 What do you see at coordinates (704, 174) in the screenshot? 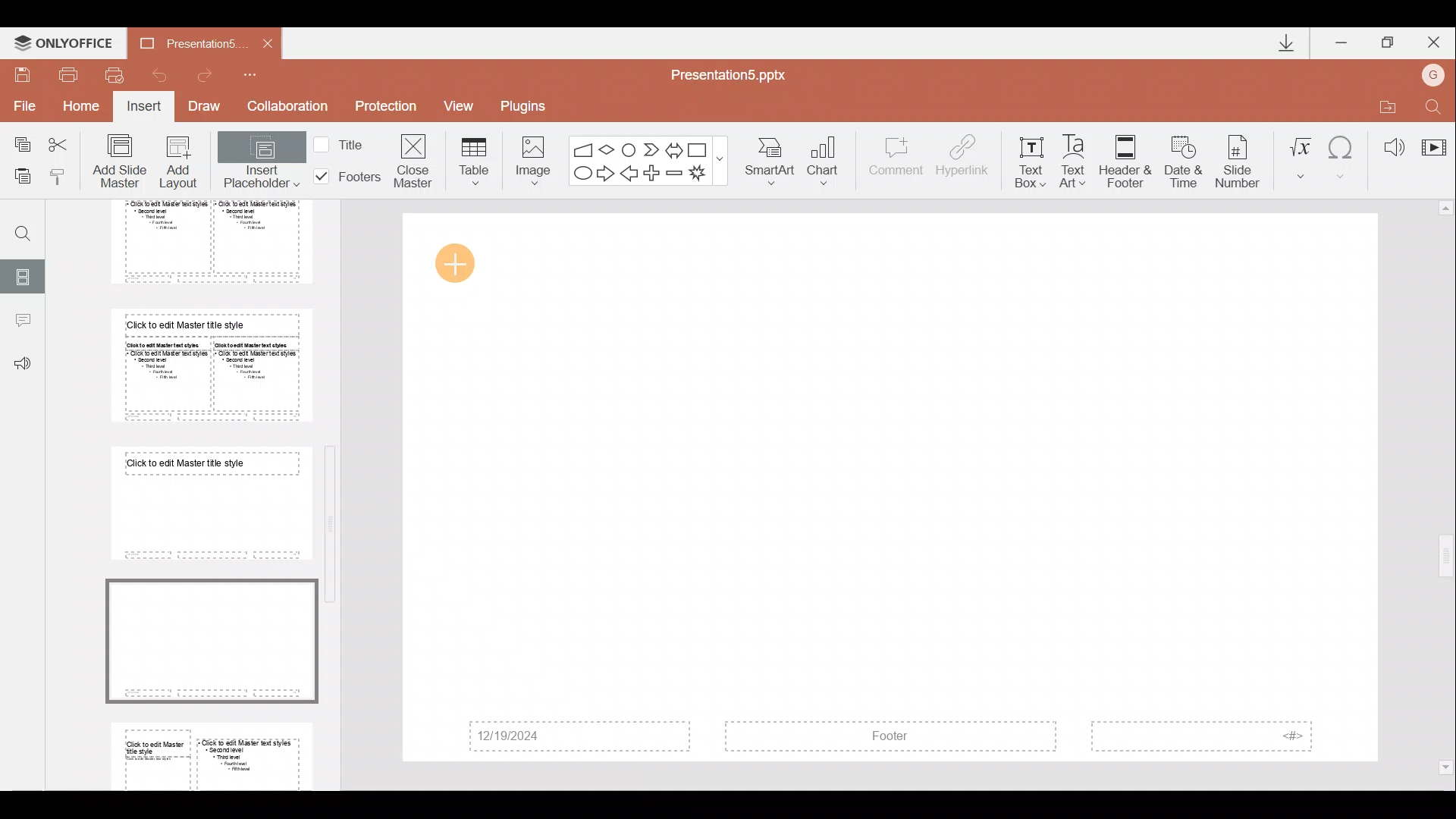
I see `Explosion 1` at bounding box center [704, 174].